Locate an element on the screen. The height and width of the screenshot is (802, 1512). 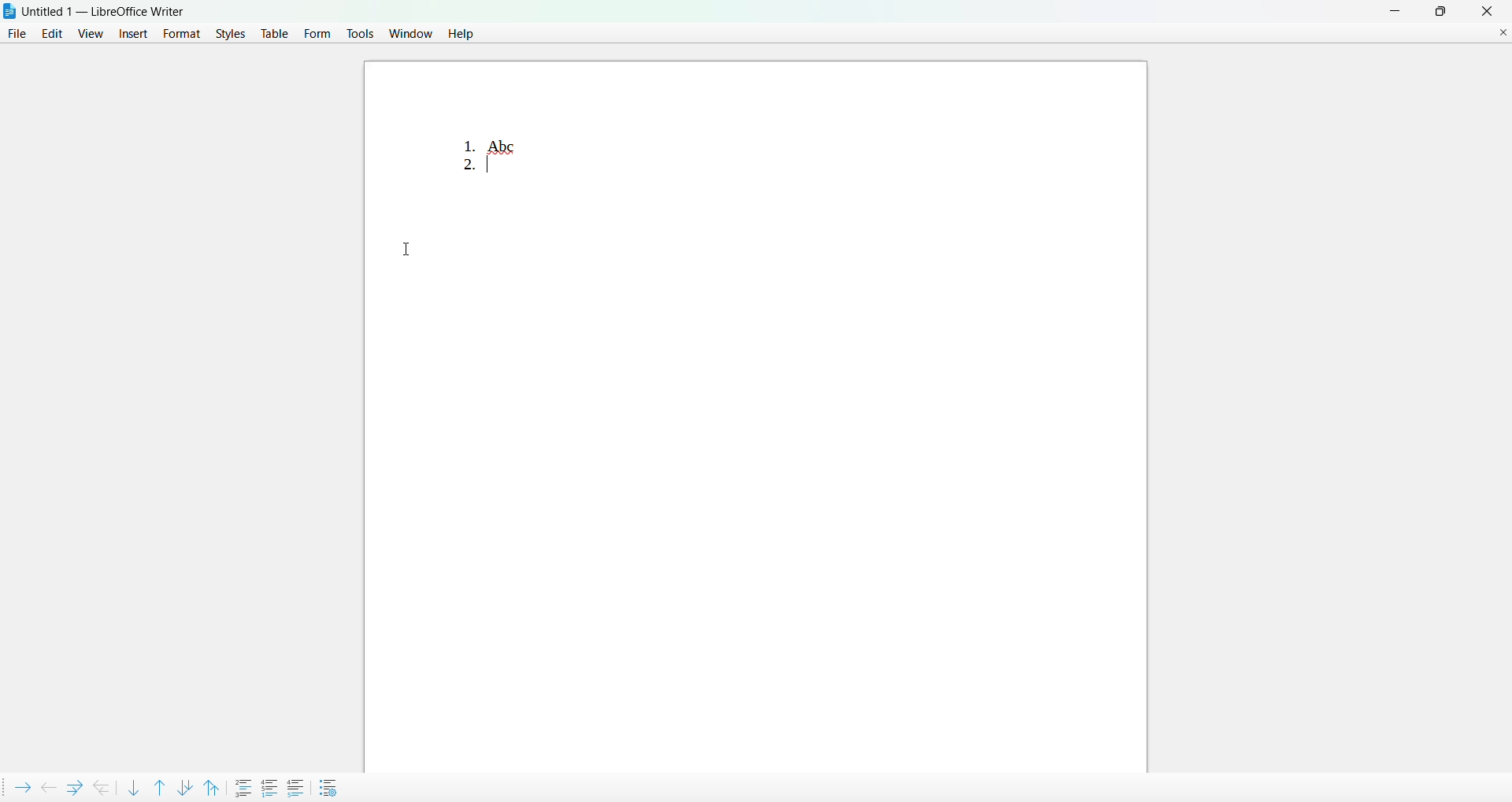
demote outline level is located at coordinates (20, 785).